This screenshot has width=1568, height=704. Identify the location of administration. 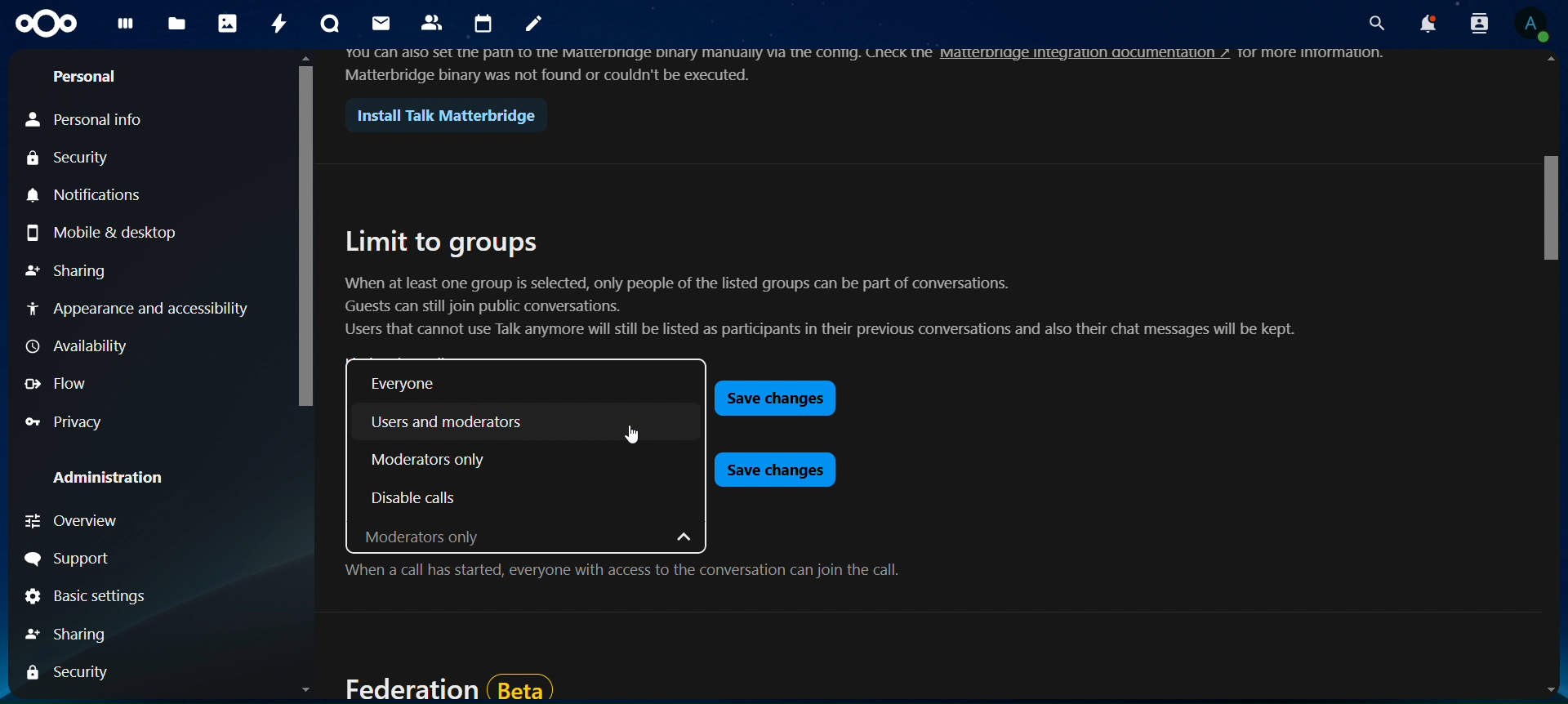
(114, 479).